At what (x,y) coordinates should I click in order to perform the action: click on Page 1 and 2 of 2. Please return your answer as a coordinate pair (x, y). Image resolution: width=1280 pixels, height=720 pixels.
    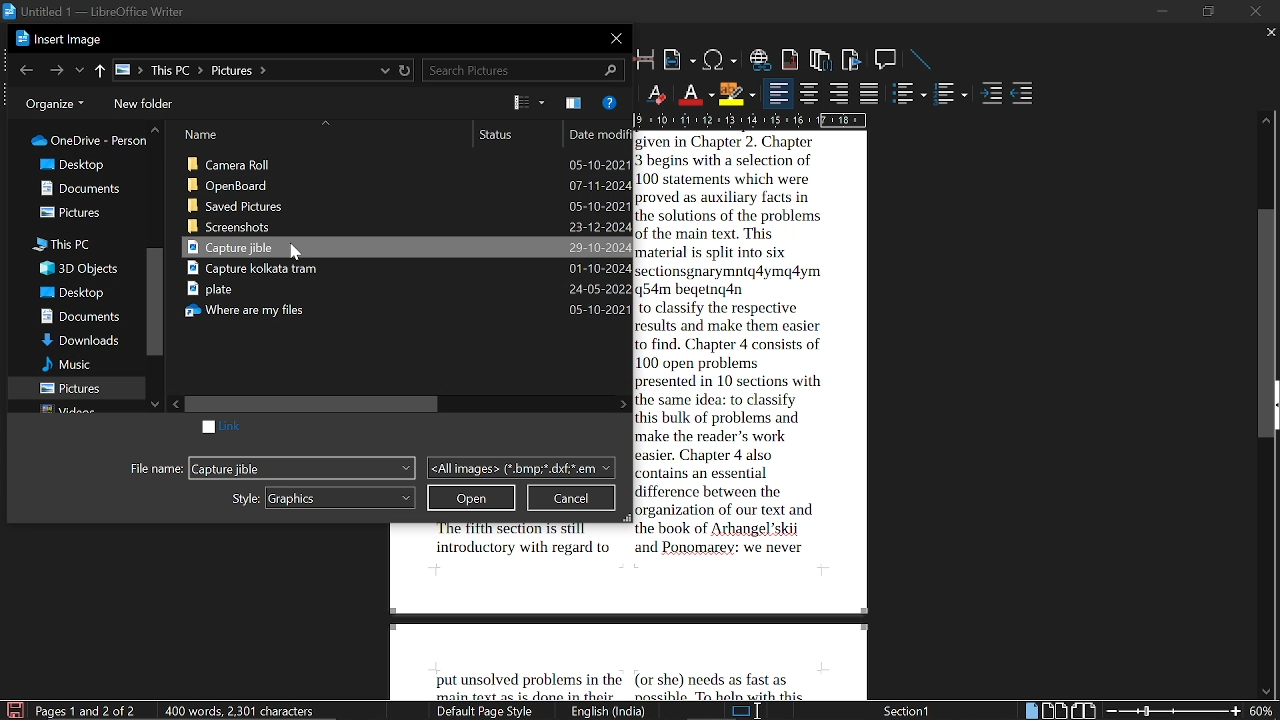
    Looking at the image, I should click on (89, 709).